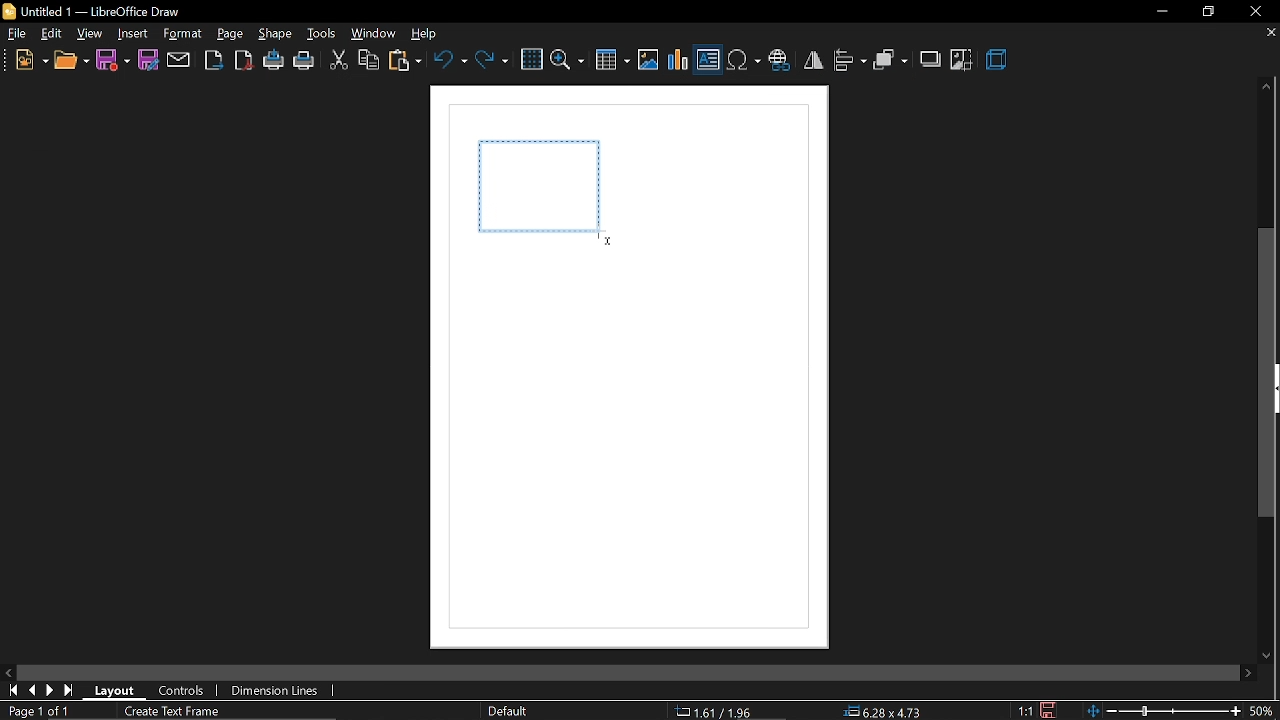 The width and height of the screenshot is (1280, 720). Describe the element at coordinates (1270, 652) in the screenshot. I see `move down` at that location.